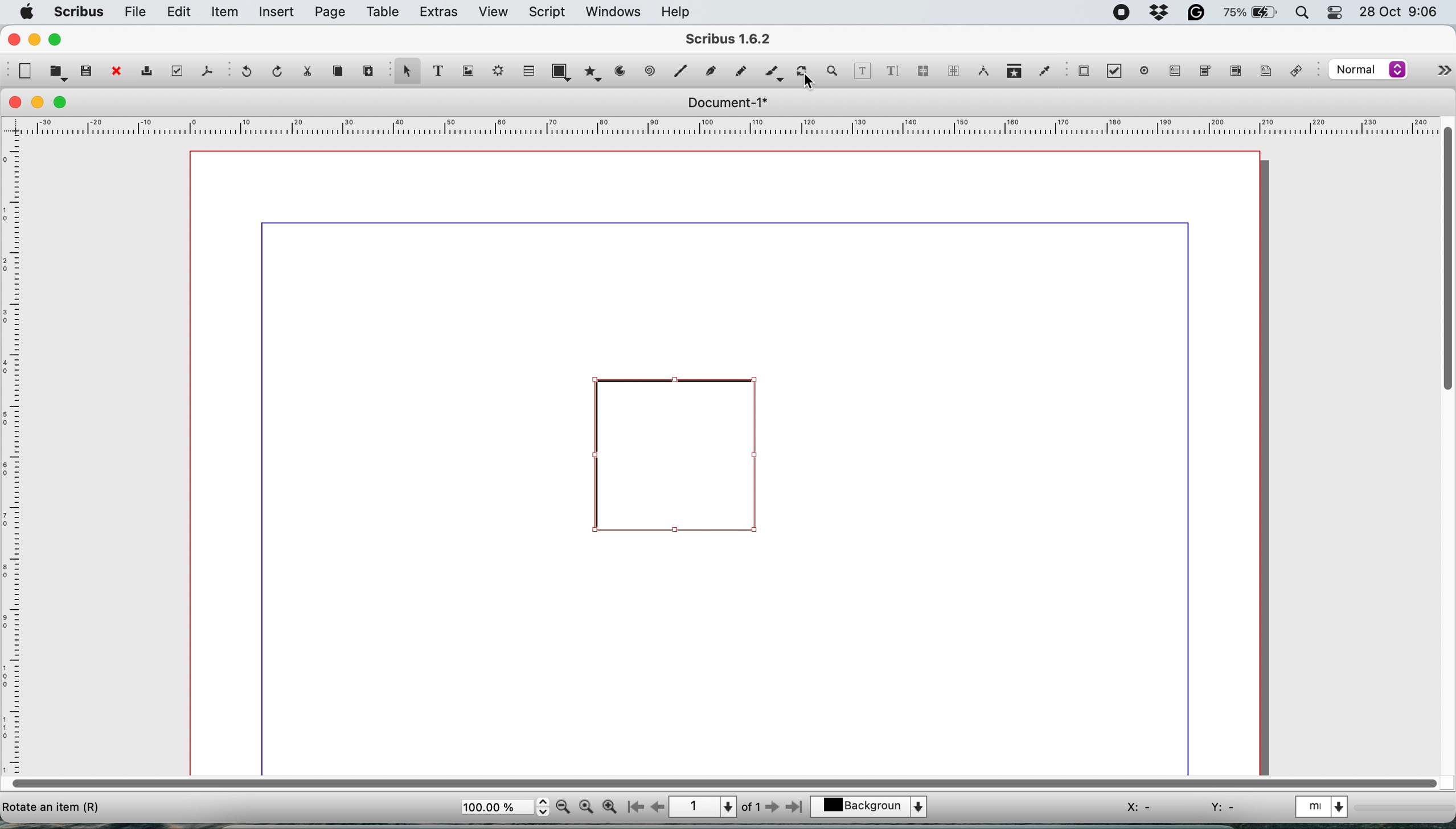 The image size is (1456, 829). What do you see at coordinates (13, 39) in the screenshot?
I see `close` at bounding box center [13, 39].